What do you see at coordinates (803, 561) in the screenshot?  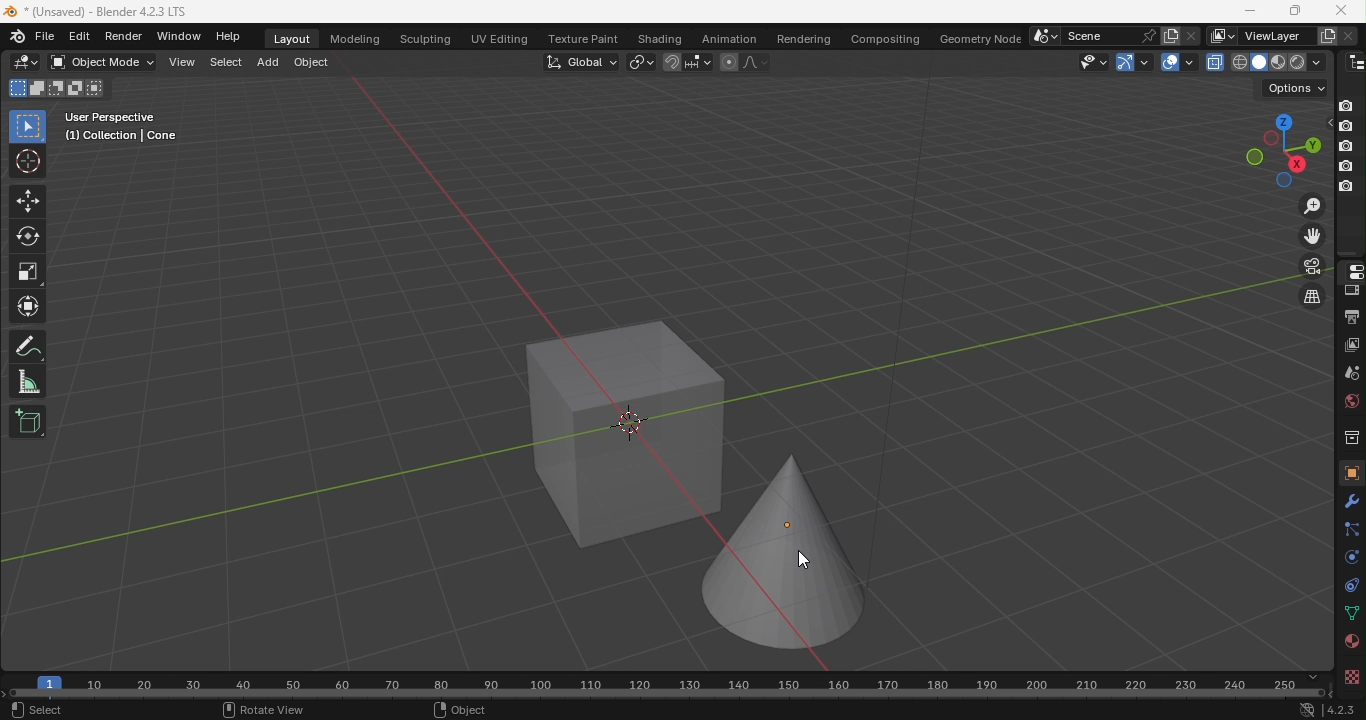 I see `cursor` at bounding box center [803, 561].